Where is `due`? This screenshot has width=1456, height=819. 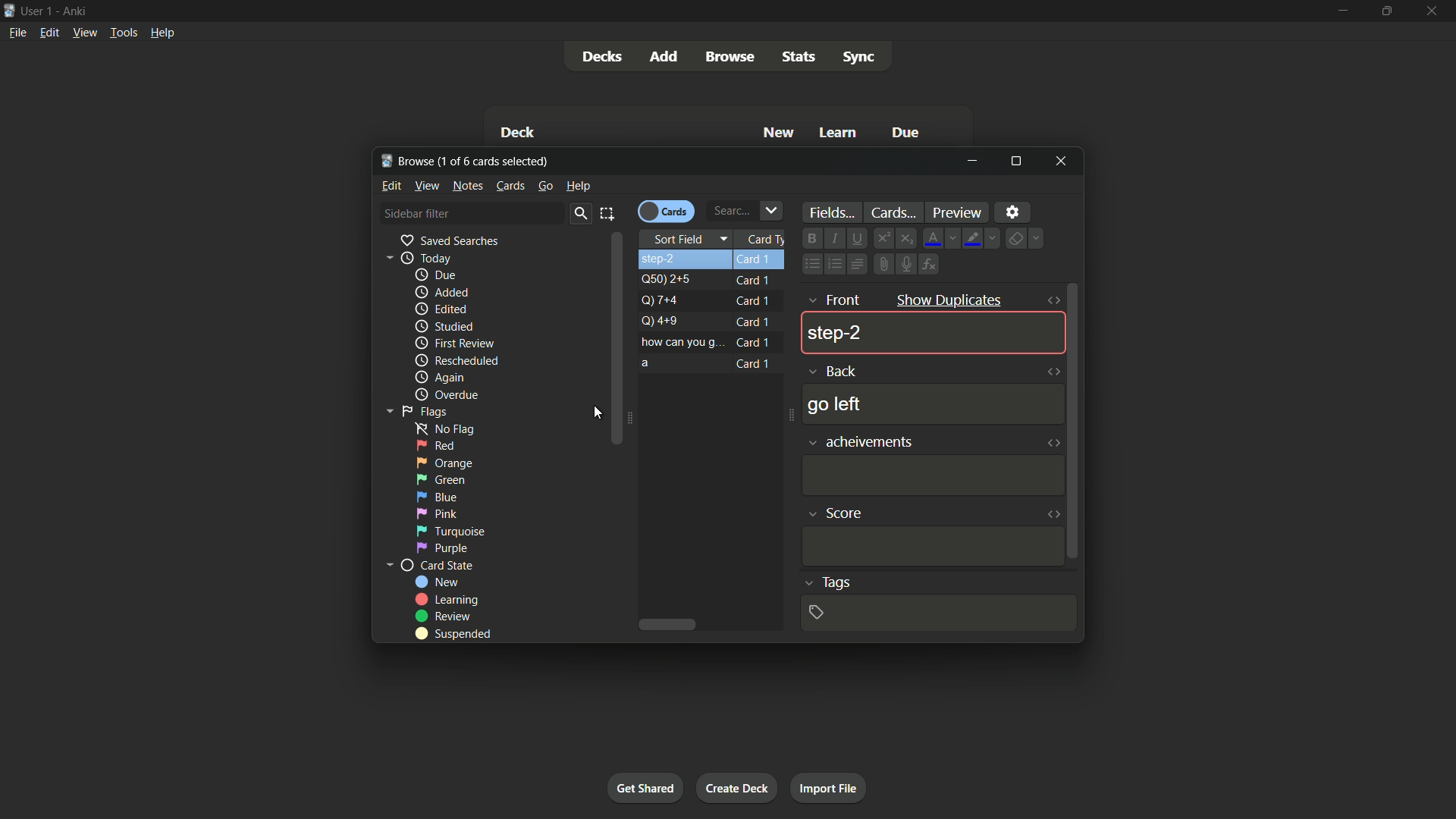 due is located at coordinates (436, 276).